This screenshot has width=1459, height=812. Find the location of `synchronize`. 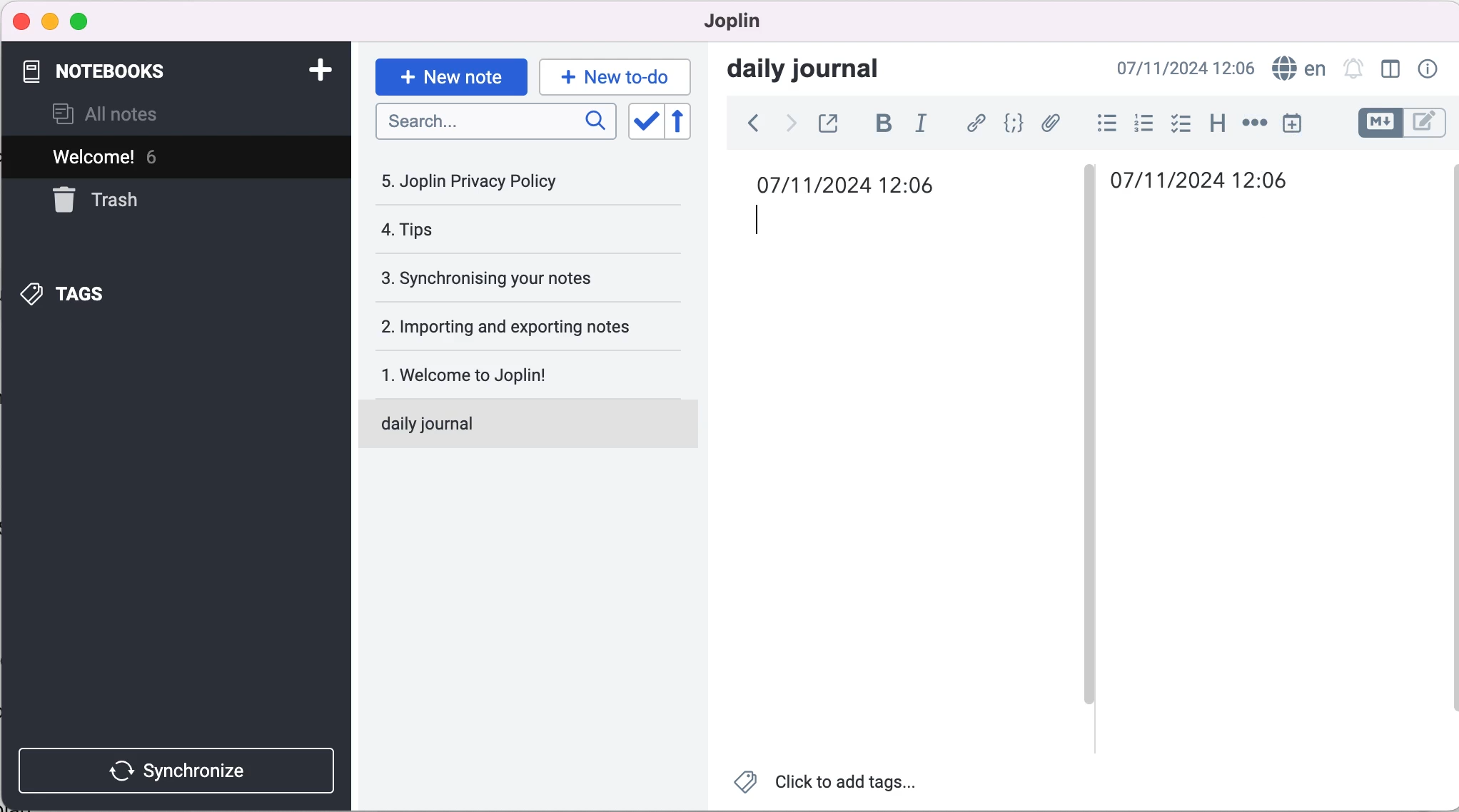

synchronize is located at coordinates (180, 766).